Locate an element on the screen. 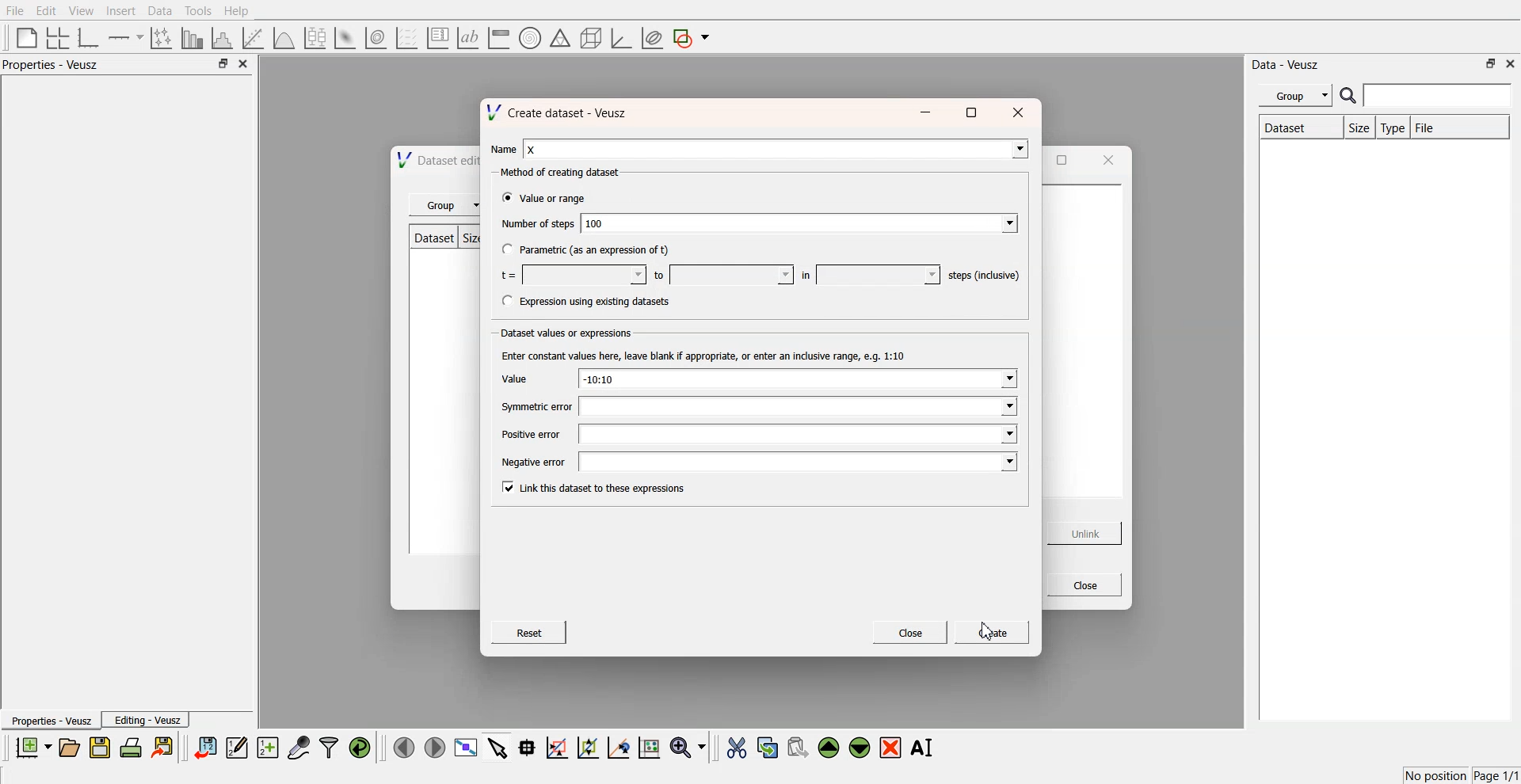  Negative error is located at coordinates (537, 464).